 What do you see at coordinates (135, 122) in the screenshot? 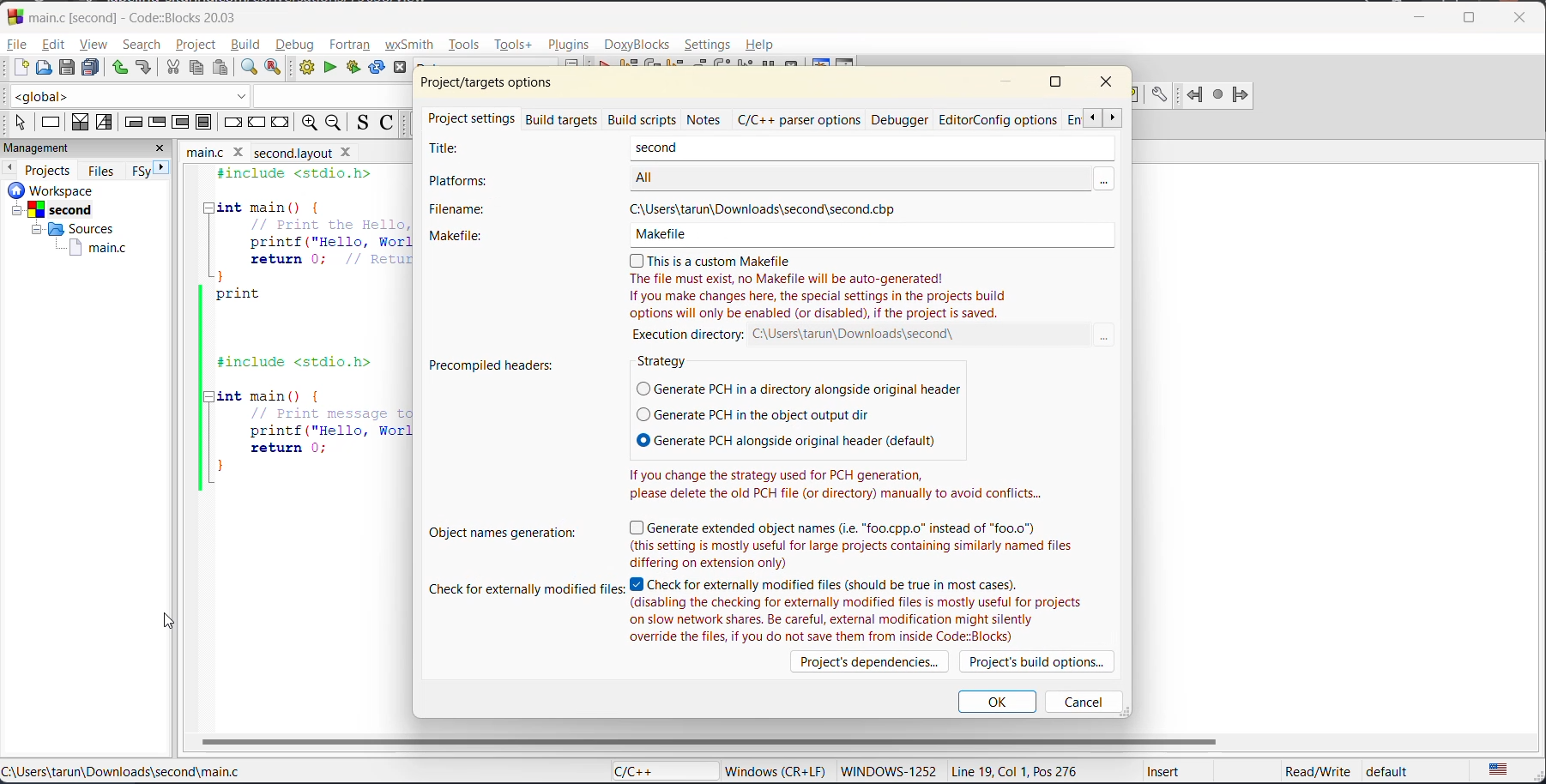
I see `entry condition loop` at bounding box center [135, 122].